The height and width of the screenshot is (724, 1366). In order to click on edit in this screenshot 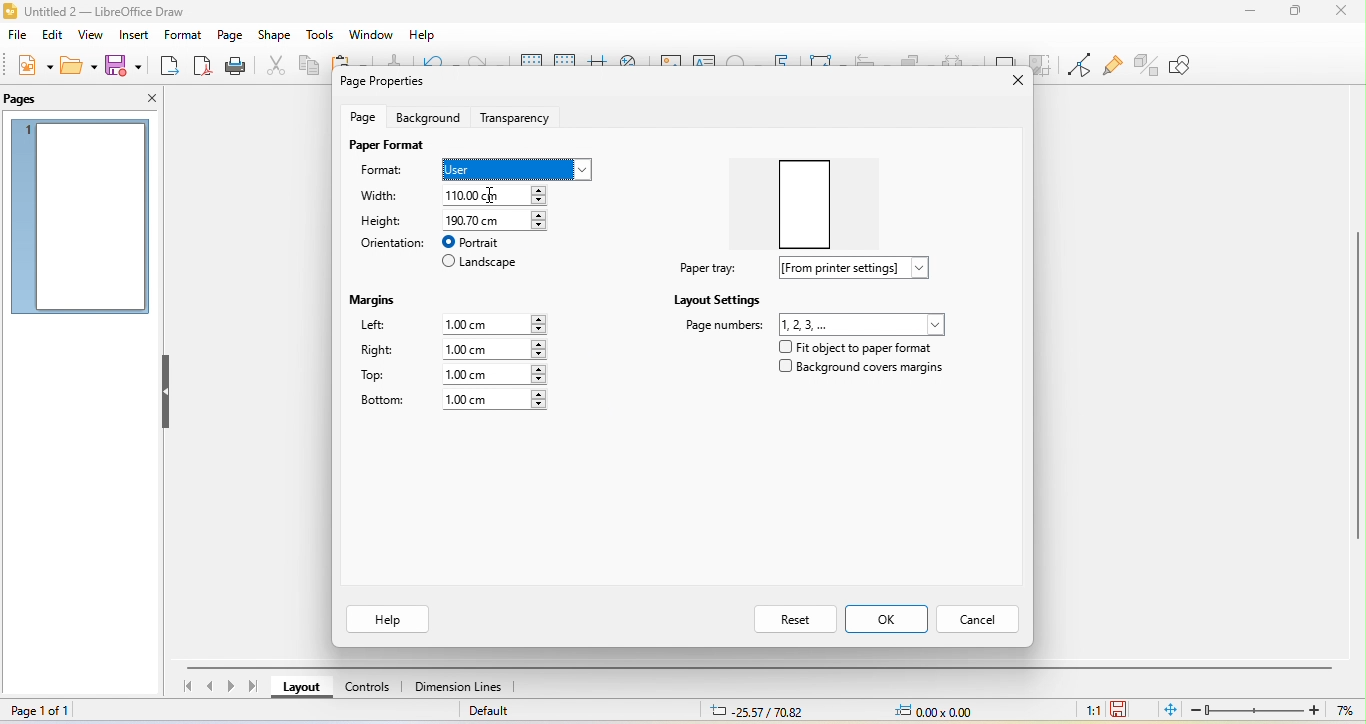, I will do `click(55, 35)`.